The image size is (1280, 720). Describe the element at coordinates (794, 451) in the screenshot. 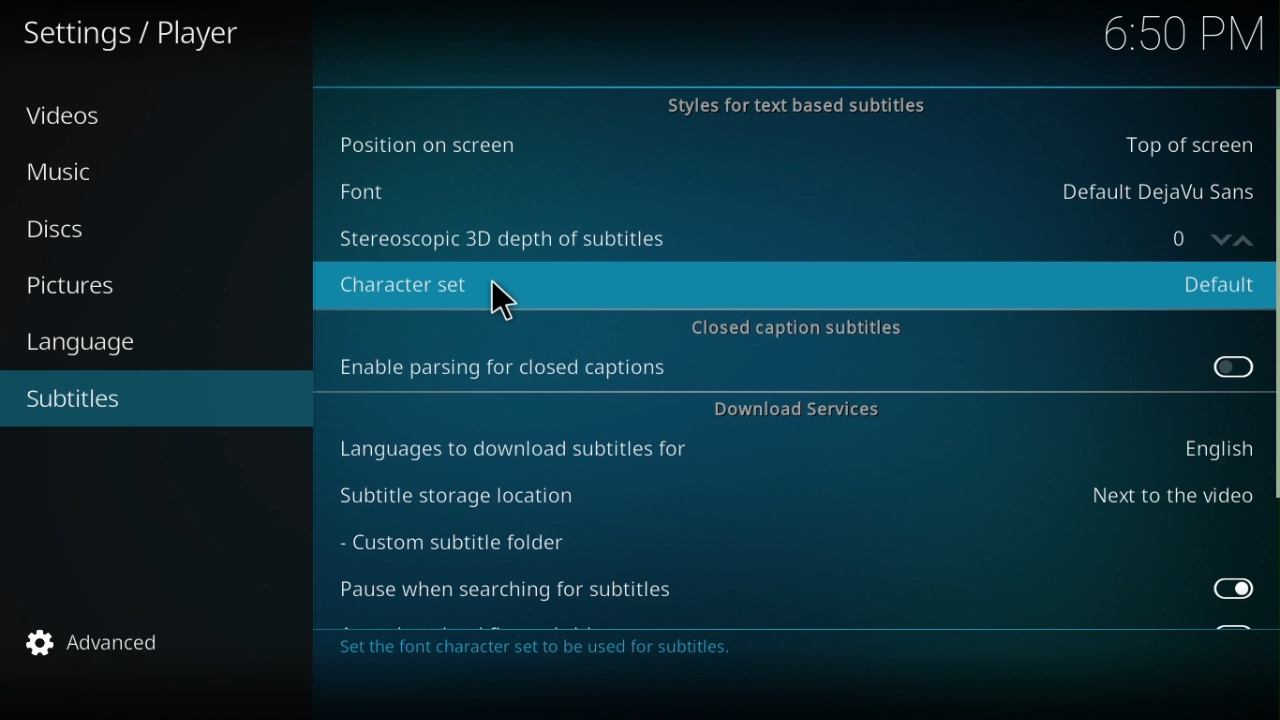

I see `Languages to download subtitles for` at that location.